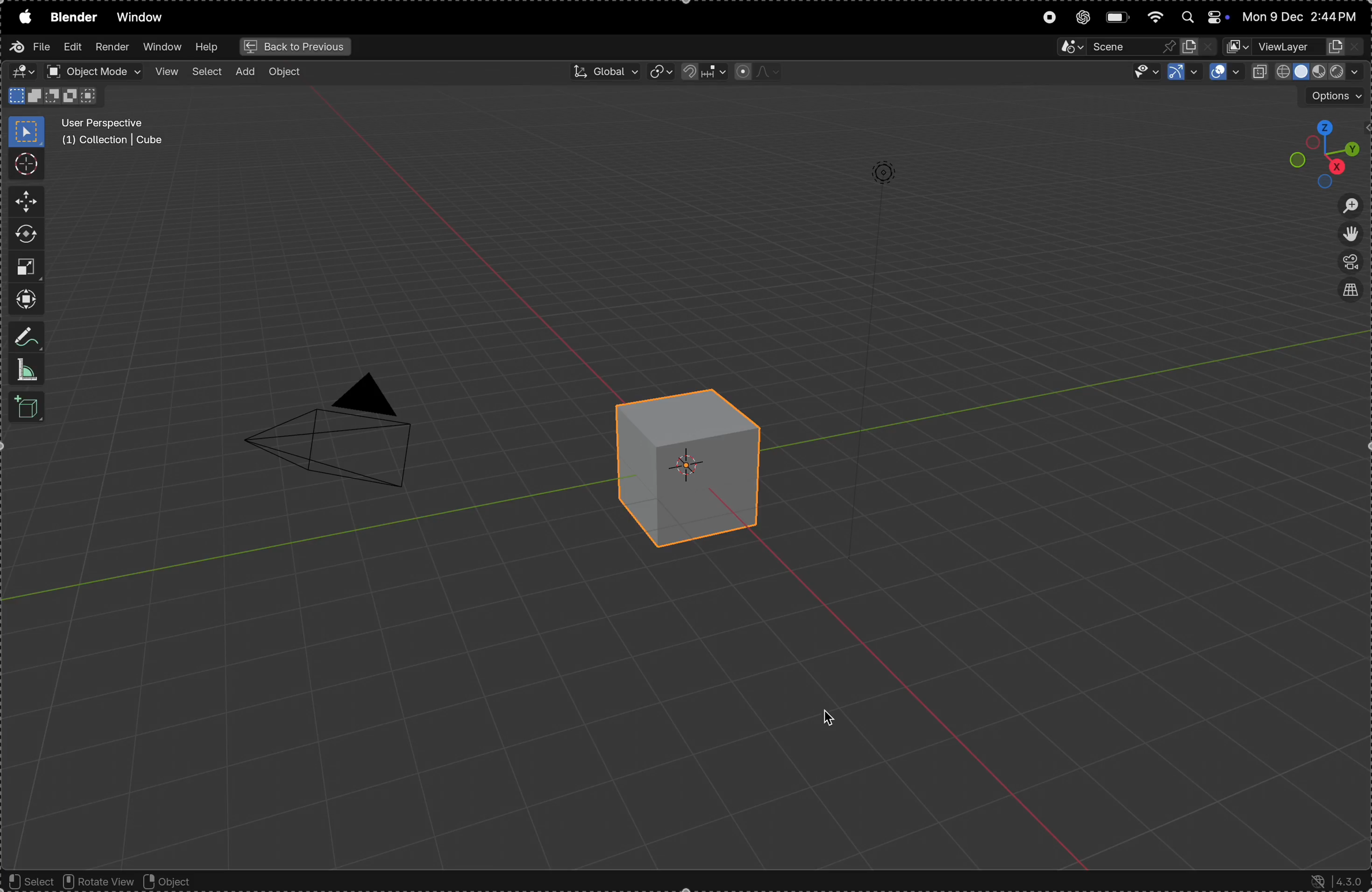 The image size is (1372, 892). Describe the element at coordinates (1134, 48) in the screenshot. I see `secene` at that location.